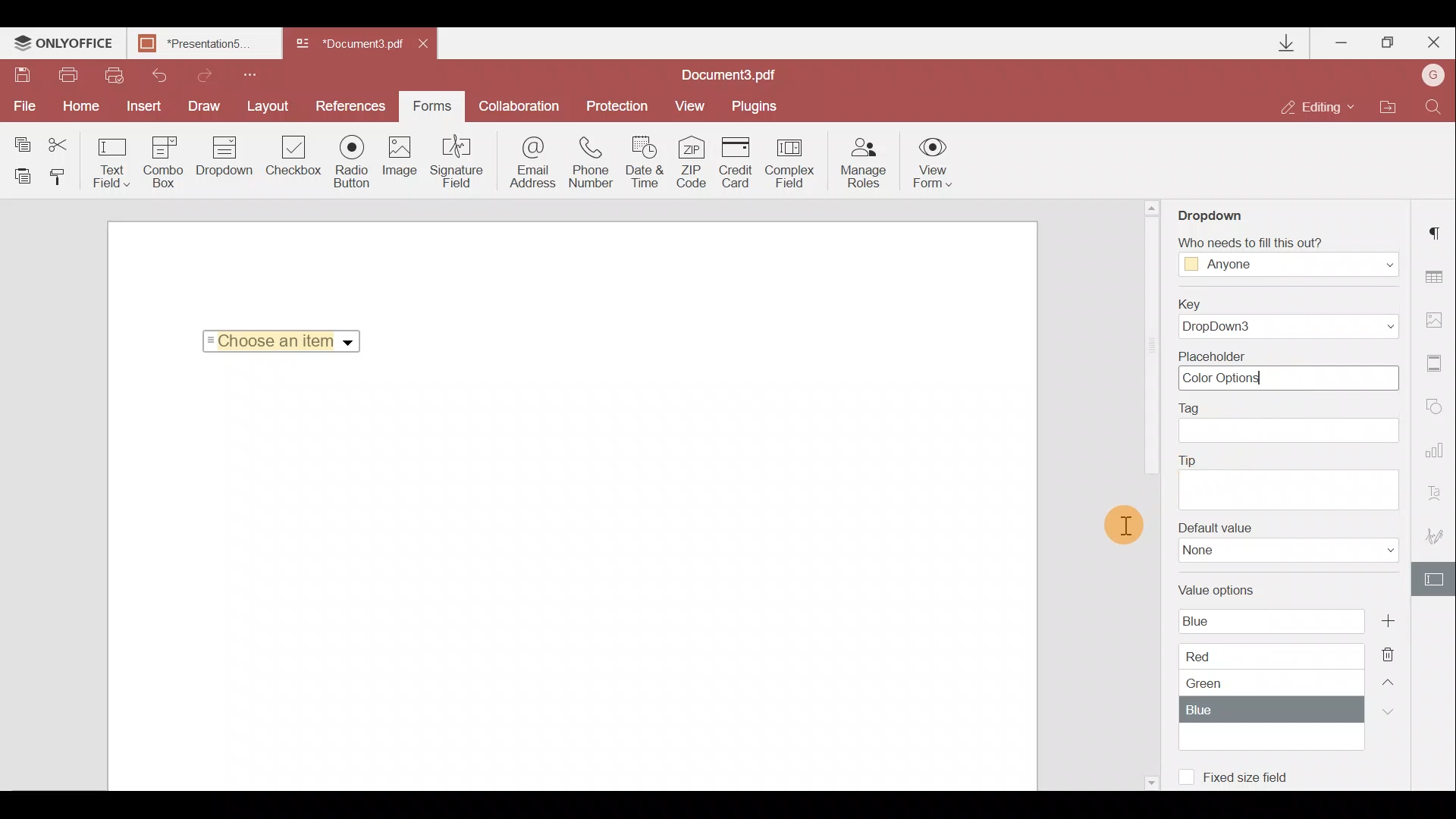  What do you see at coordinates (85, 107) in the screenshot?
I see `Home` at bounding box center [85, 107].